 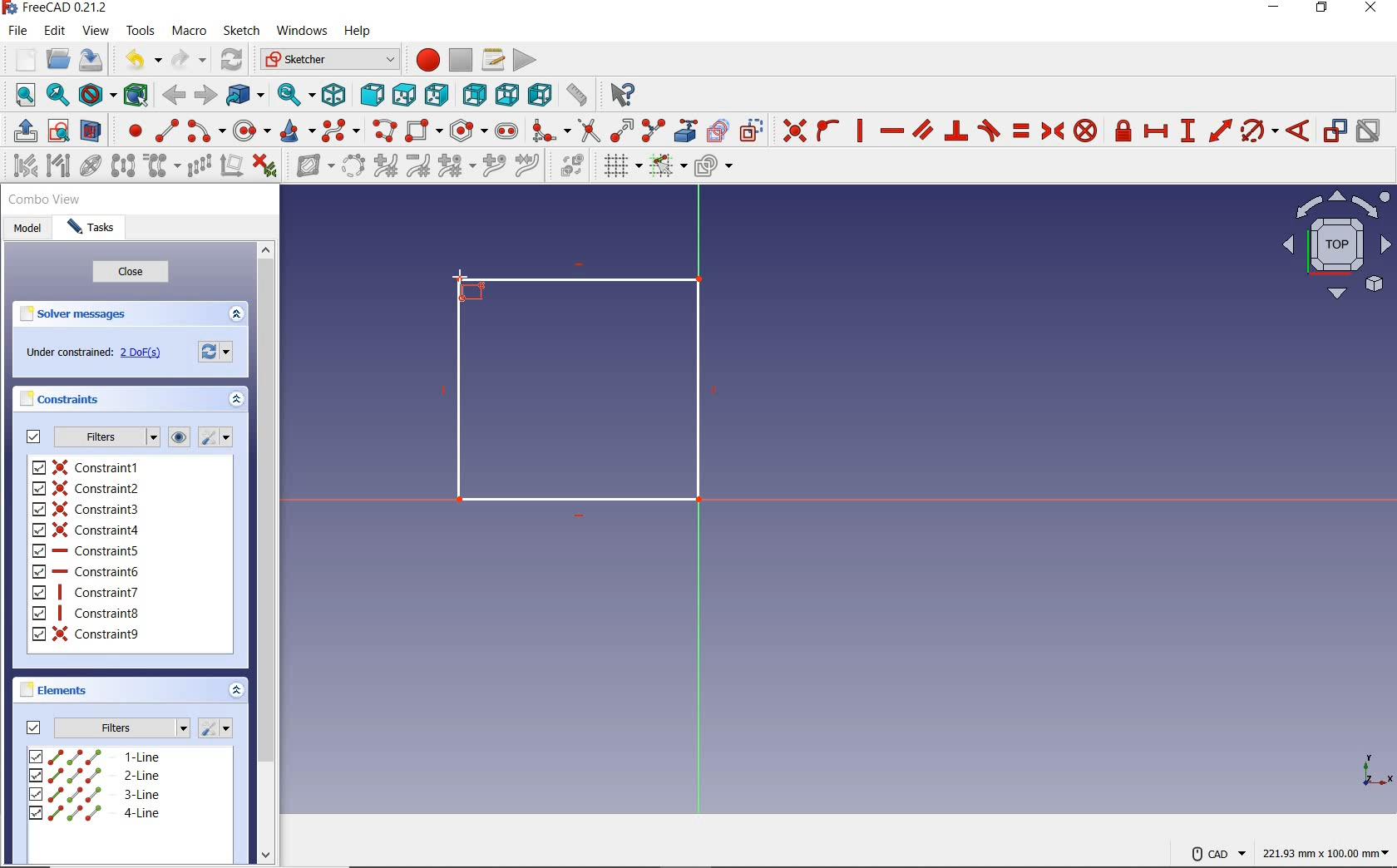 I want to click on minimize, so click(x=1275, y=9).